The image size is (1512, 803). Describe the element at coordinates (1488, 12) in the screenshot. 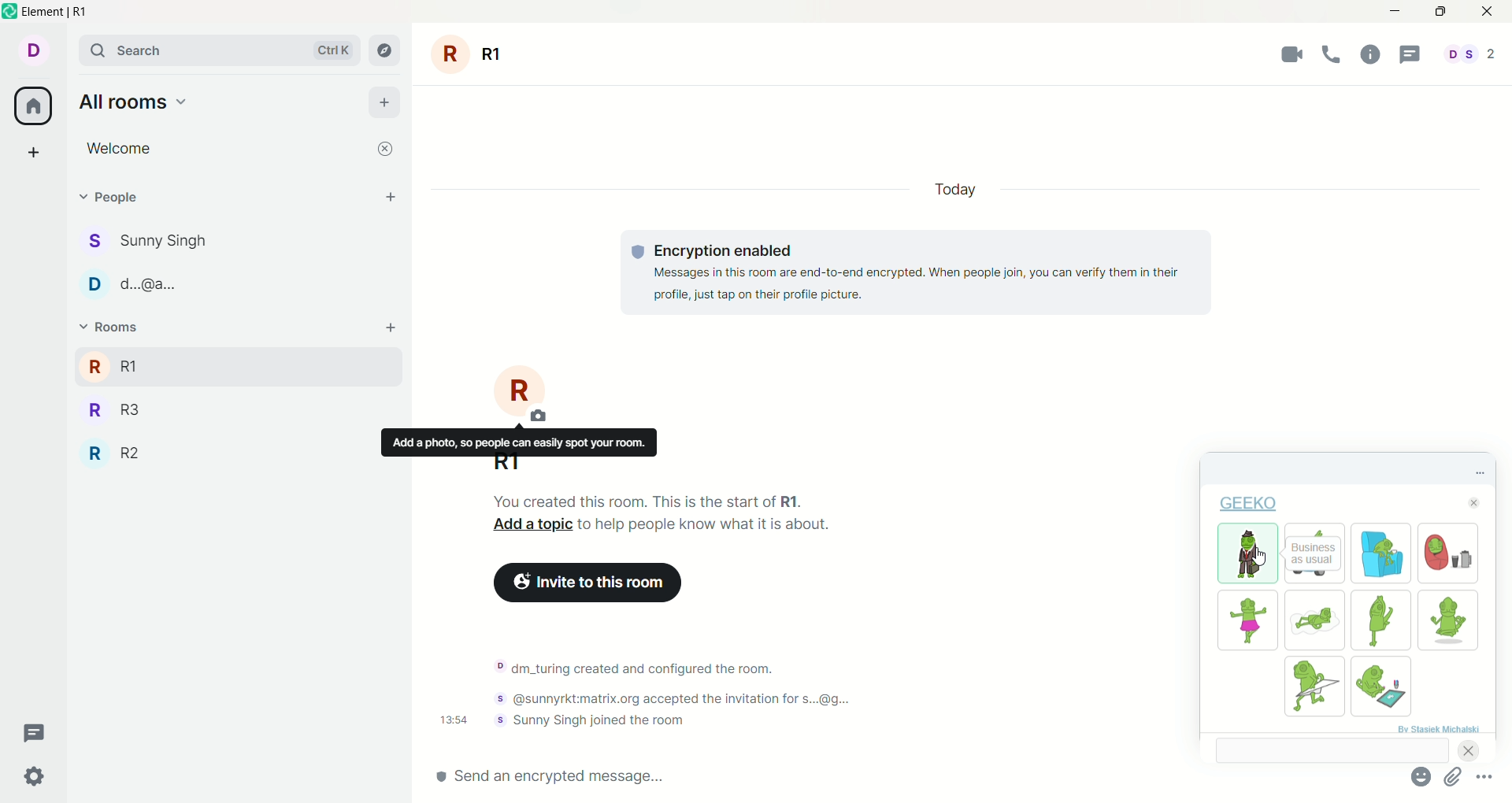

I see `close` at that location.